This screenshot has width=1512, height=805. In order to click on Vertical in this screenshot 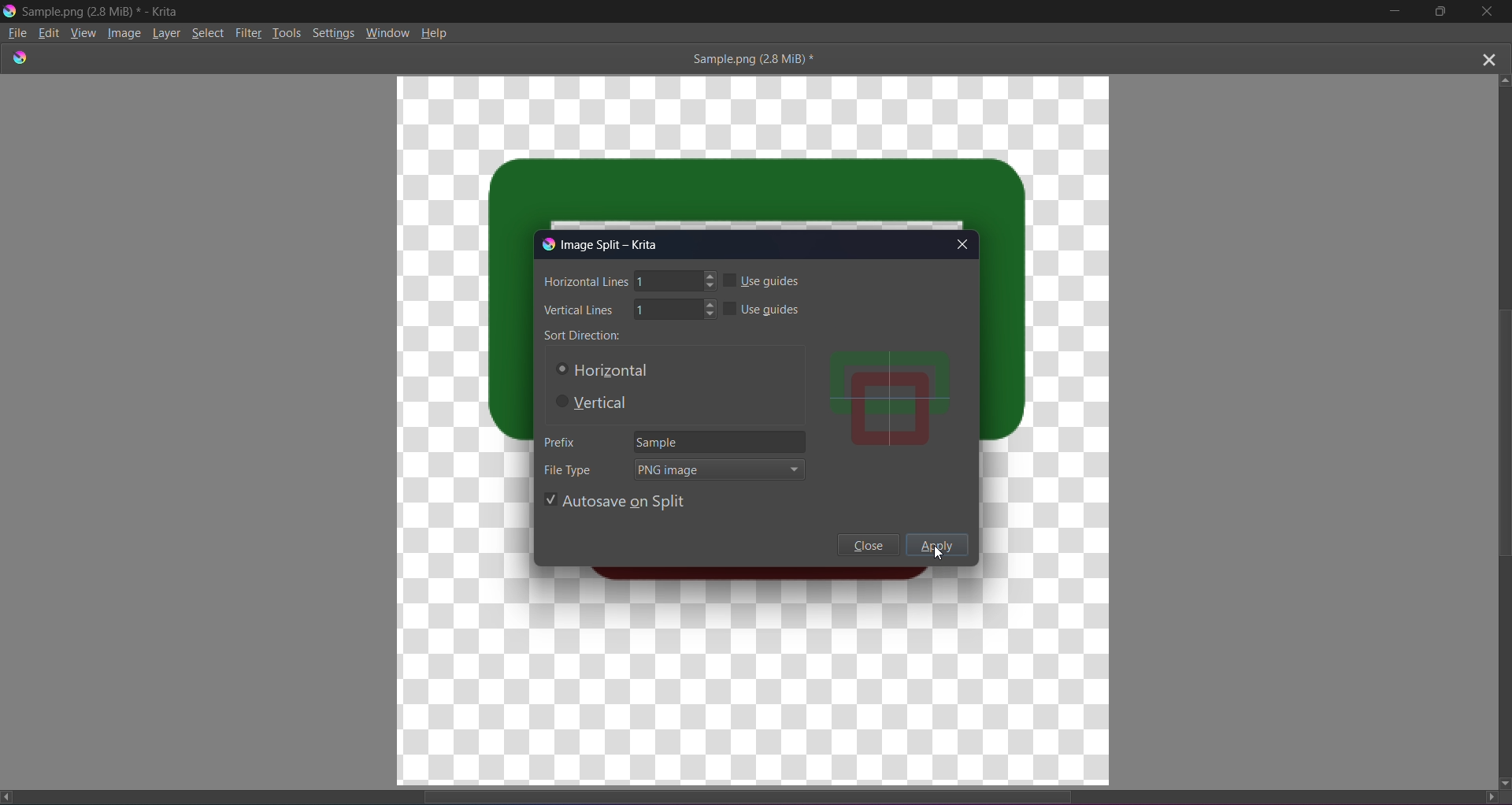, I will do `click(597, 403)`.